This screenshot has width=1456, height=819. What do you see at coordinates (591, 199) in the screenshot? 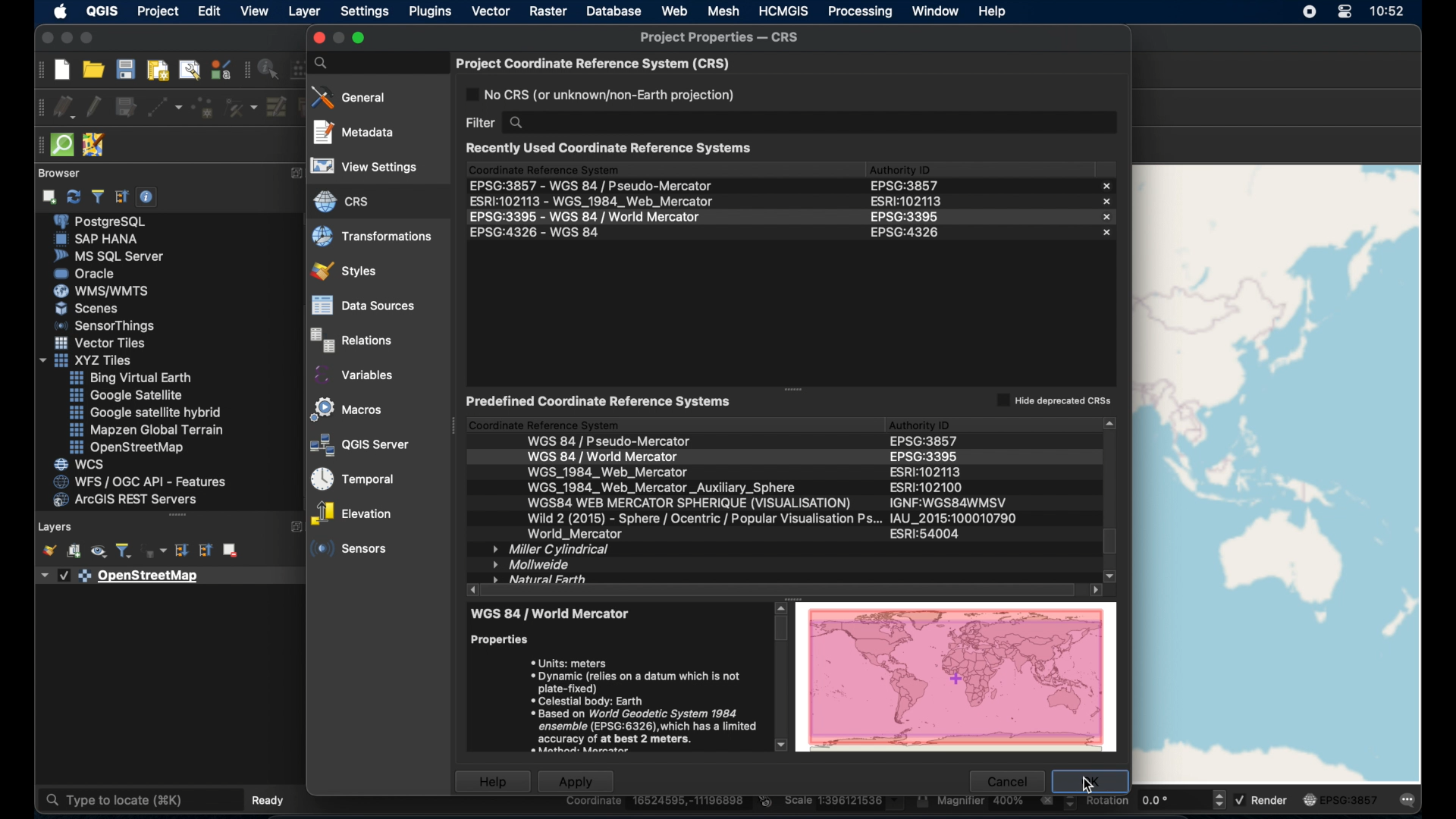
I see `ESRE102113 - WGS 1984 Web Mercator` at bounding box center [591, 199].